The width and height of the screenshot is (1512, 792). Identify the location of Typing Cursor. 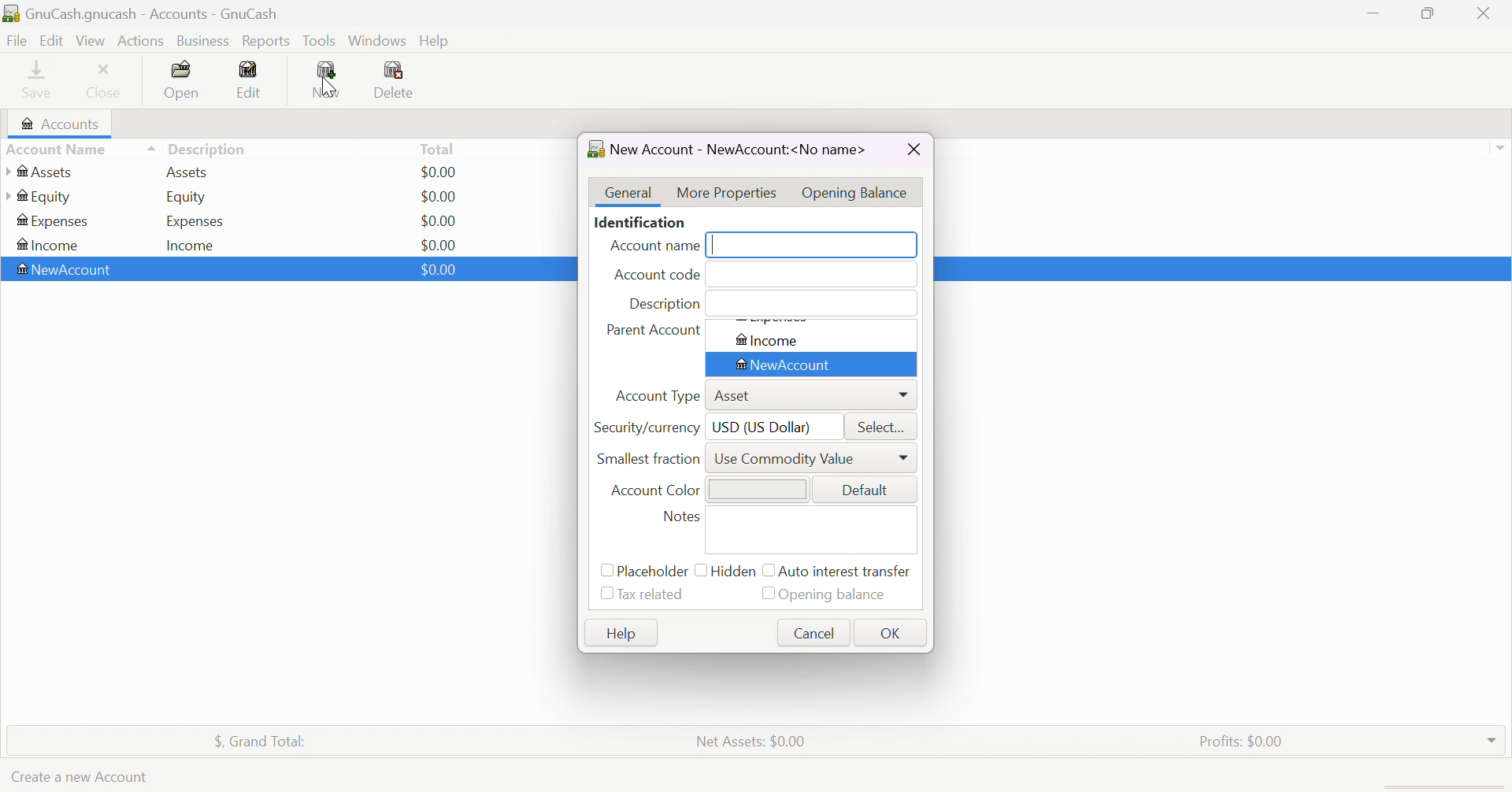
(717, 246).